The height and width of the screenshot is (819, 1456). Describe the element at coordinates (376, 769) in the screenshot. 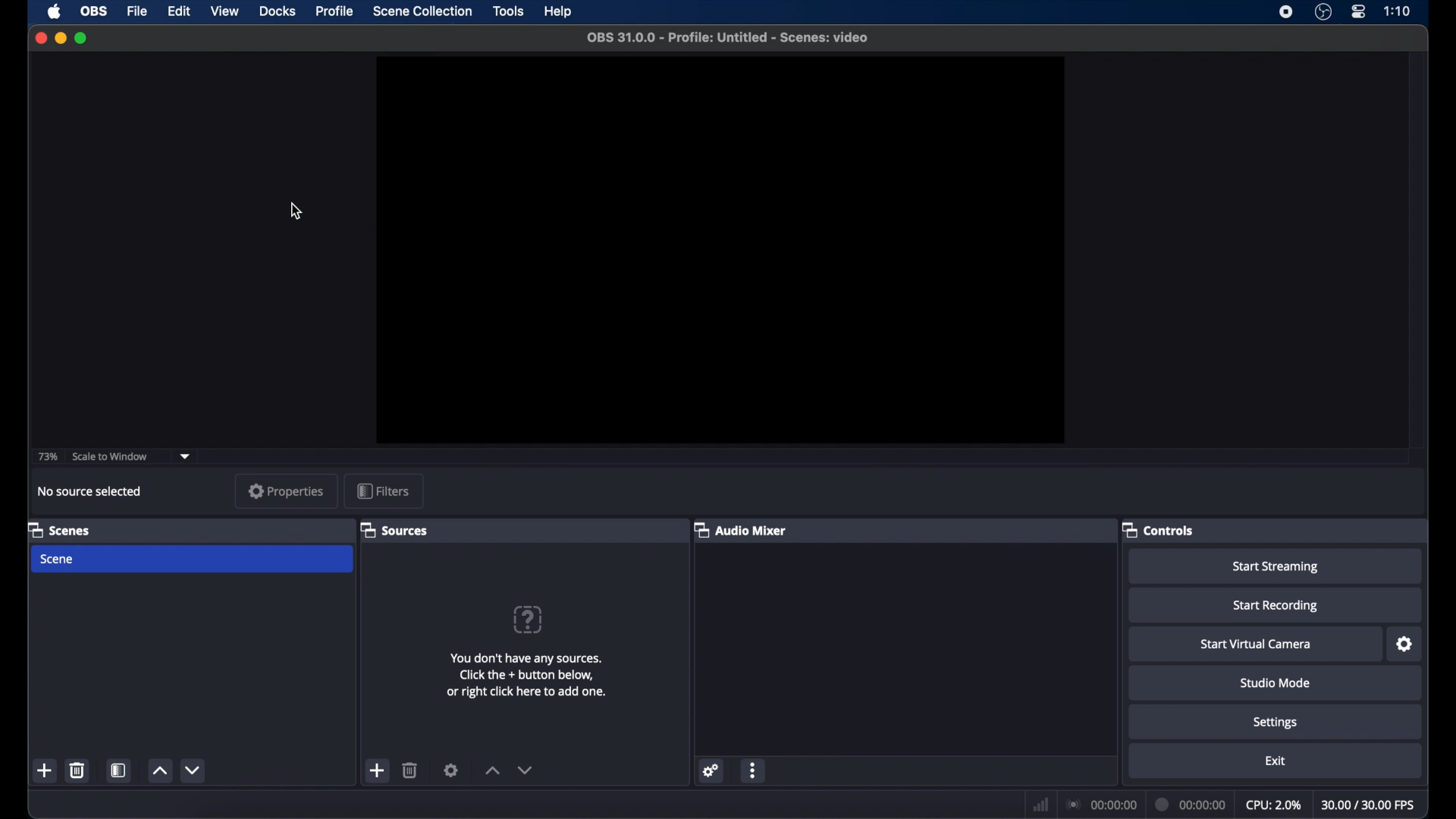

I see `add` at that location.